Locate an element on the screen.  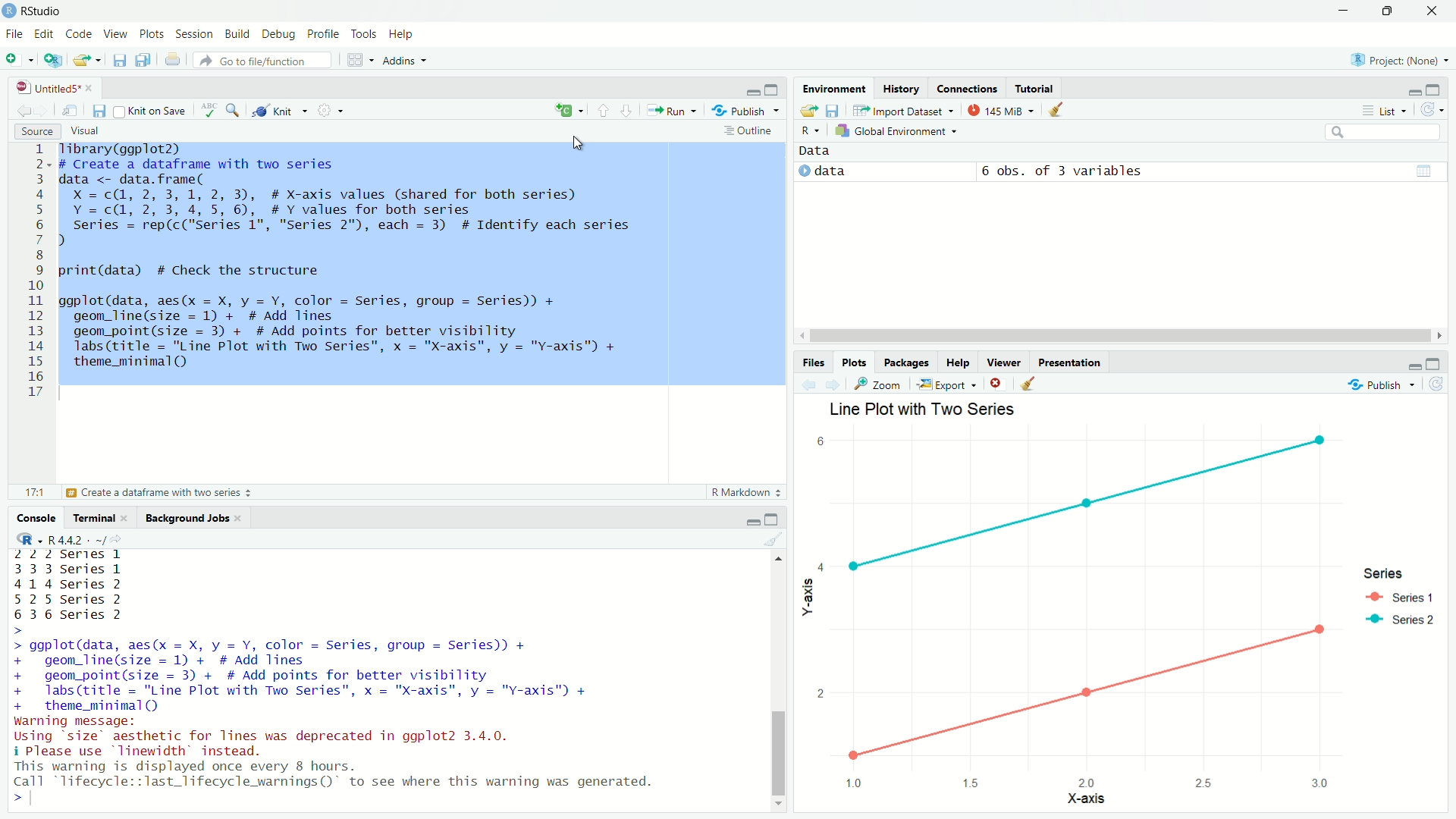
Viewer is located at coordinates (1003, 362).